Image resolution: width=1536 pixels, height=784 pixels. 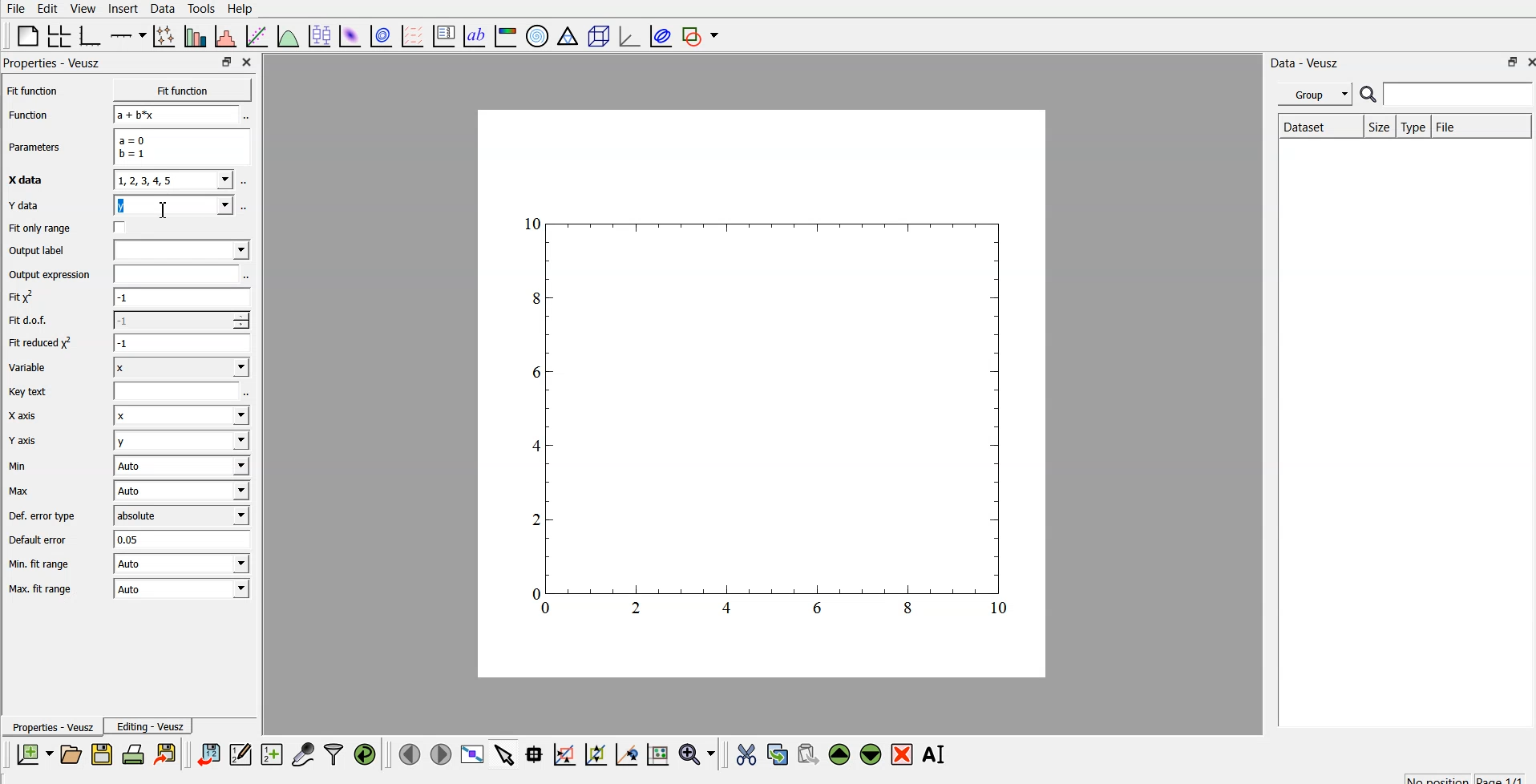 What do you see at coordinates (184, 466) in the screenshot?
I see `| Auto` at bounding box center [184, 466].